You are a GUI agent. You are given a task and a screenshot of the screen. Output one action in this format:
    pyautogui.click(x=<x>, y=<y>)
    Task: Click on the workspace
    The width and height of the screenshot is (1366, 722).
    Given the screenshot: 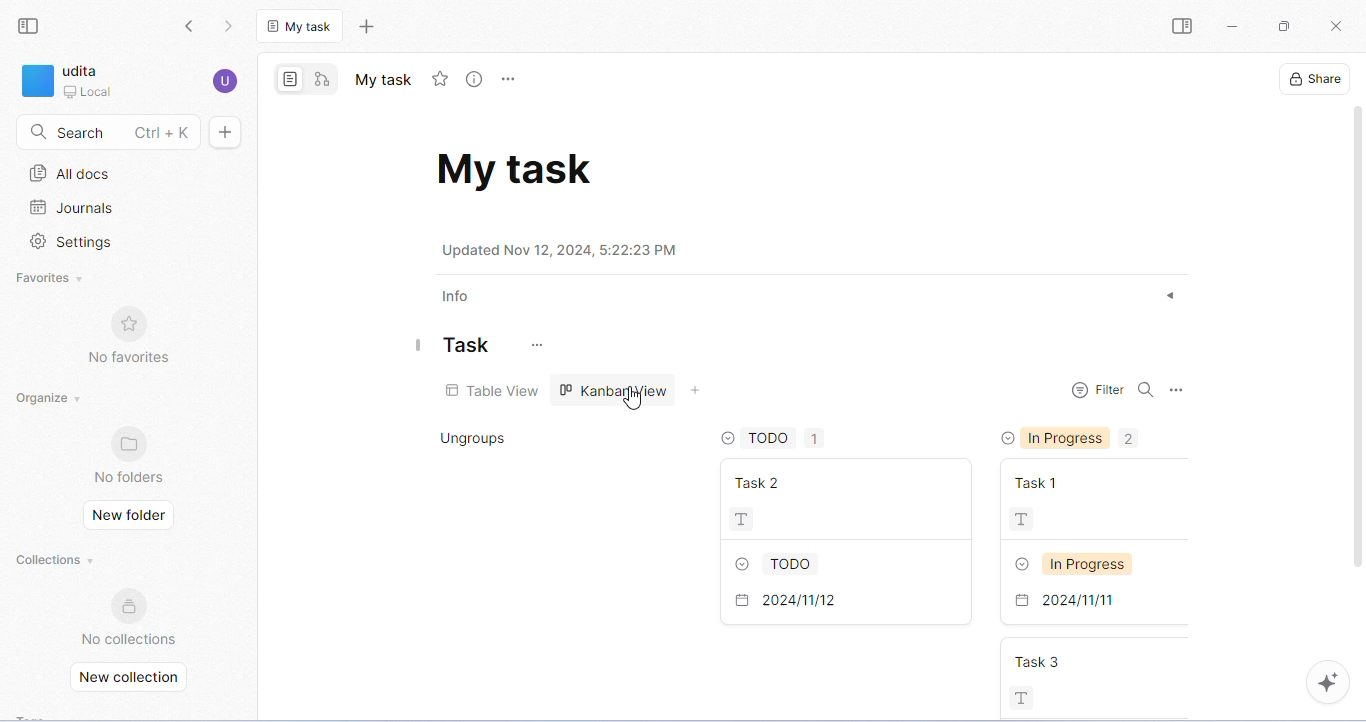 What is the action you would take?
    pyautogui.click(x=85, y=81)
    